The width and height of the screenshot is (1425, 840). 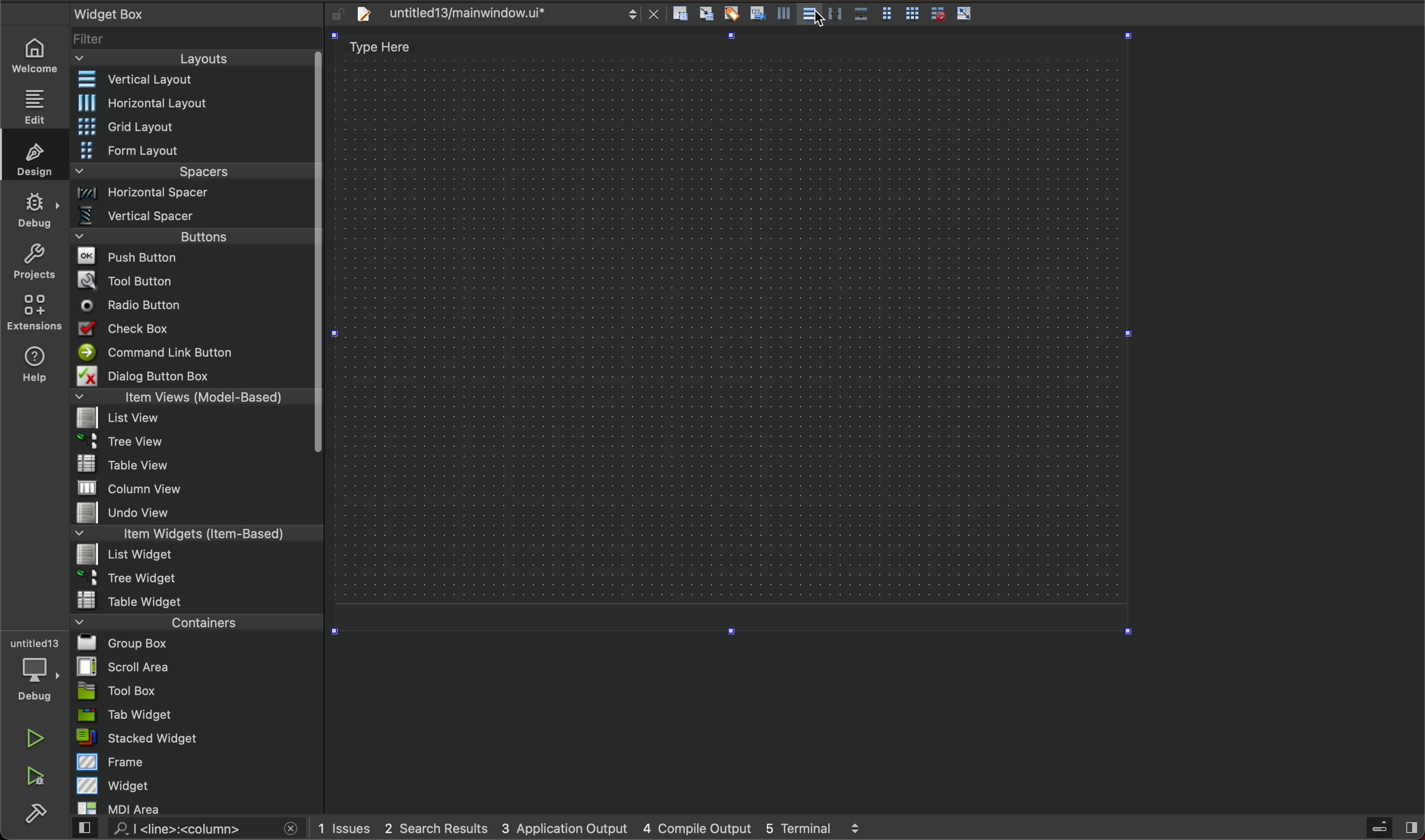 What do you see at coordinates (682, 14) in the screenshot?
I see `` at bounding box center [682, 14].